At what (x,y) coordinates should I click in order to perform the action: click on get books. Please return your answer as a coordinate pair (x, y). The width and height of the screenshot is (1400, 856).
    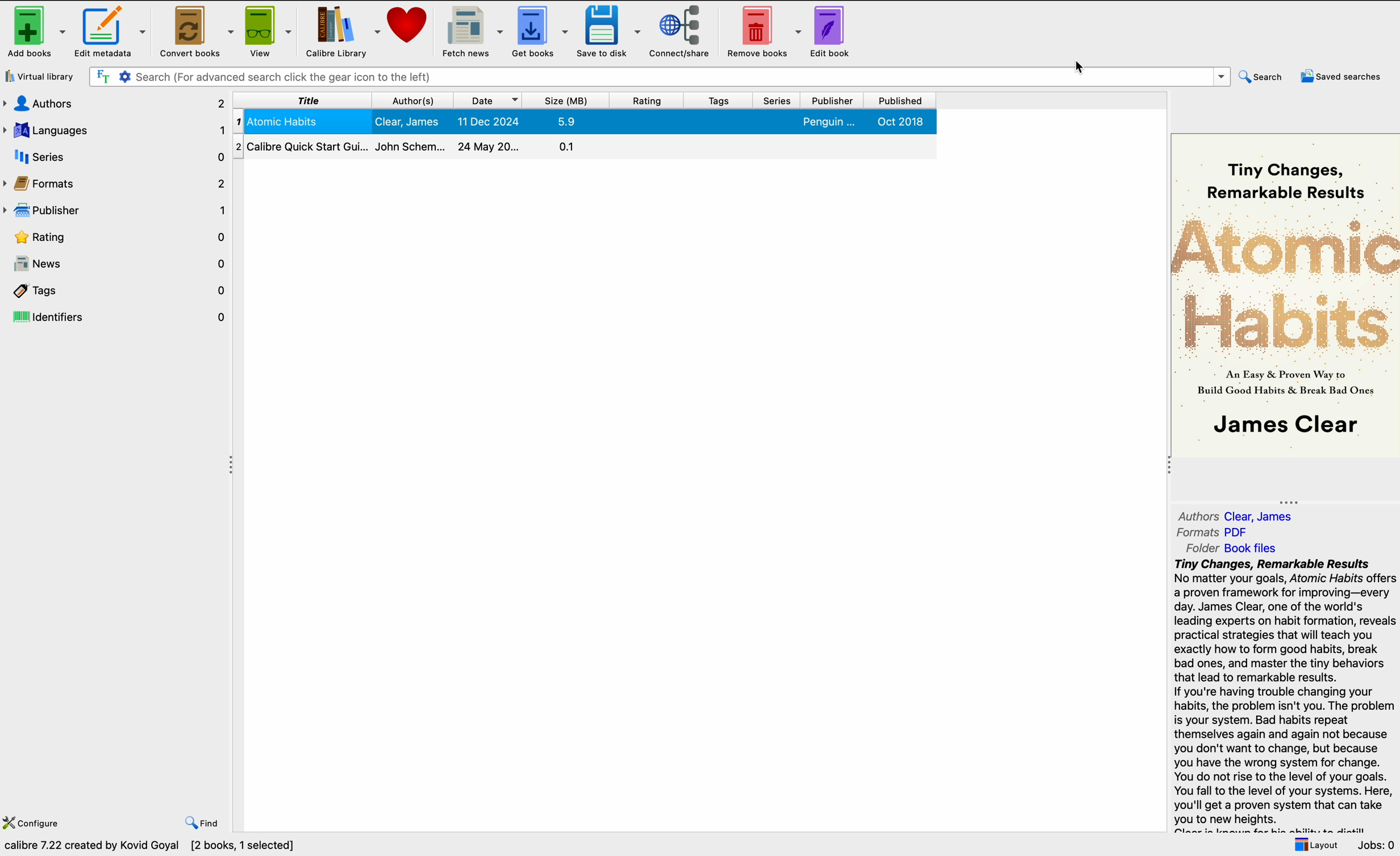
    Looking at the image, I should click on (541, 31).